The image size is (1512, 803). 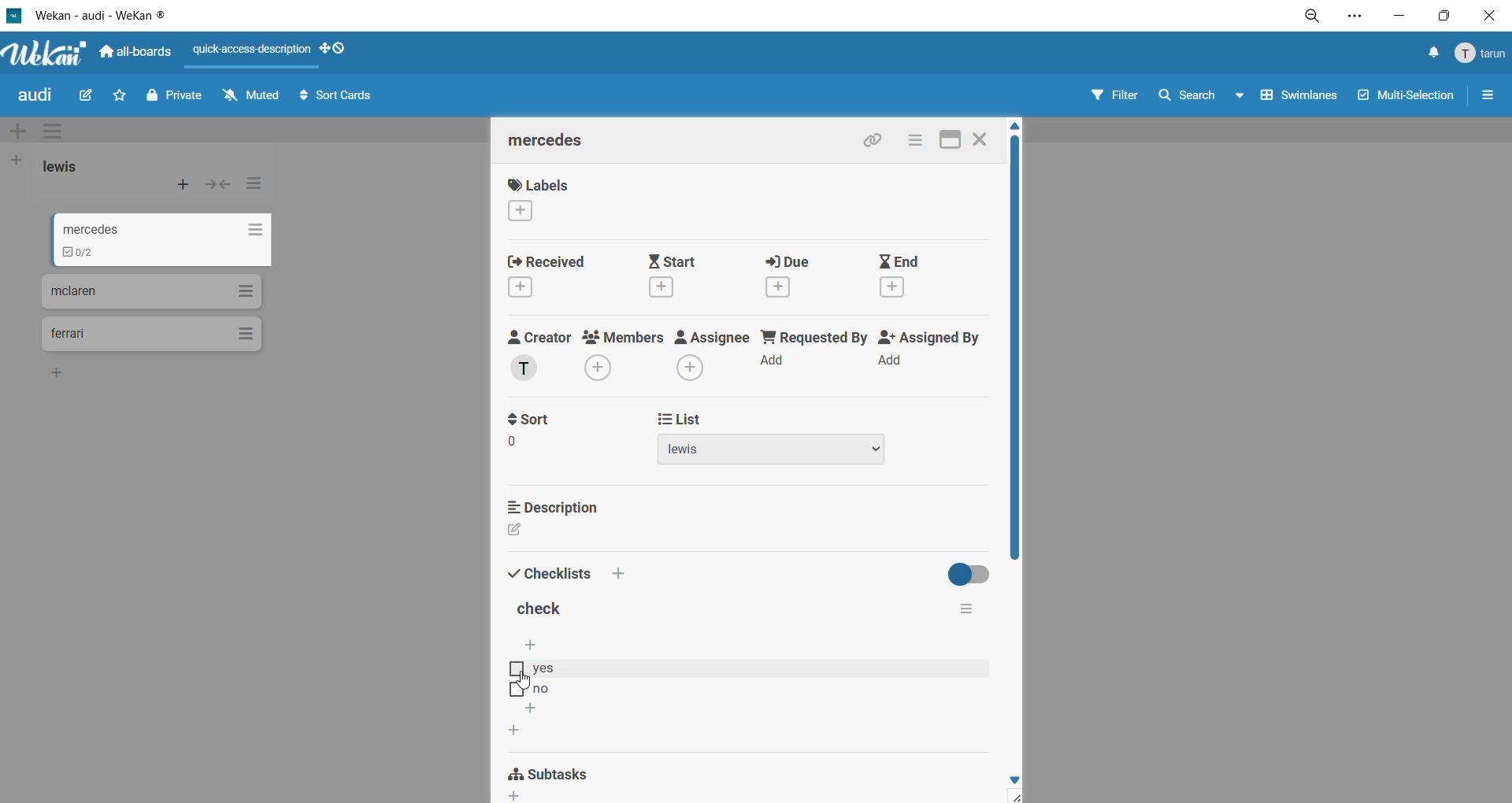 I want to click on checklist option, so click(x=739, y=668).